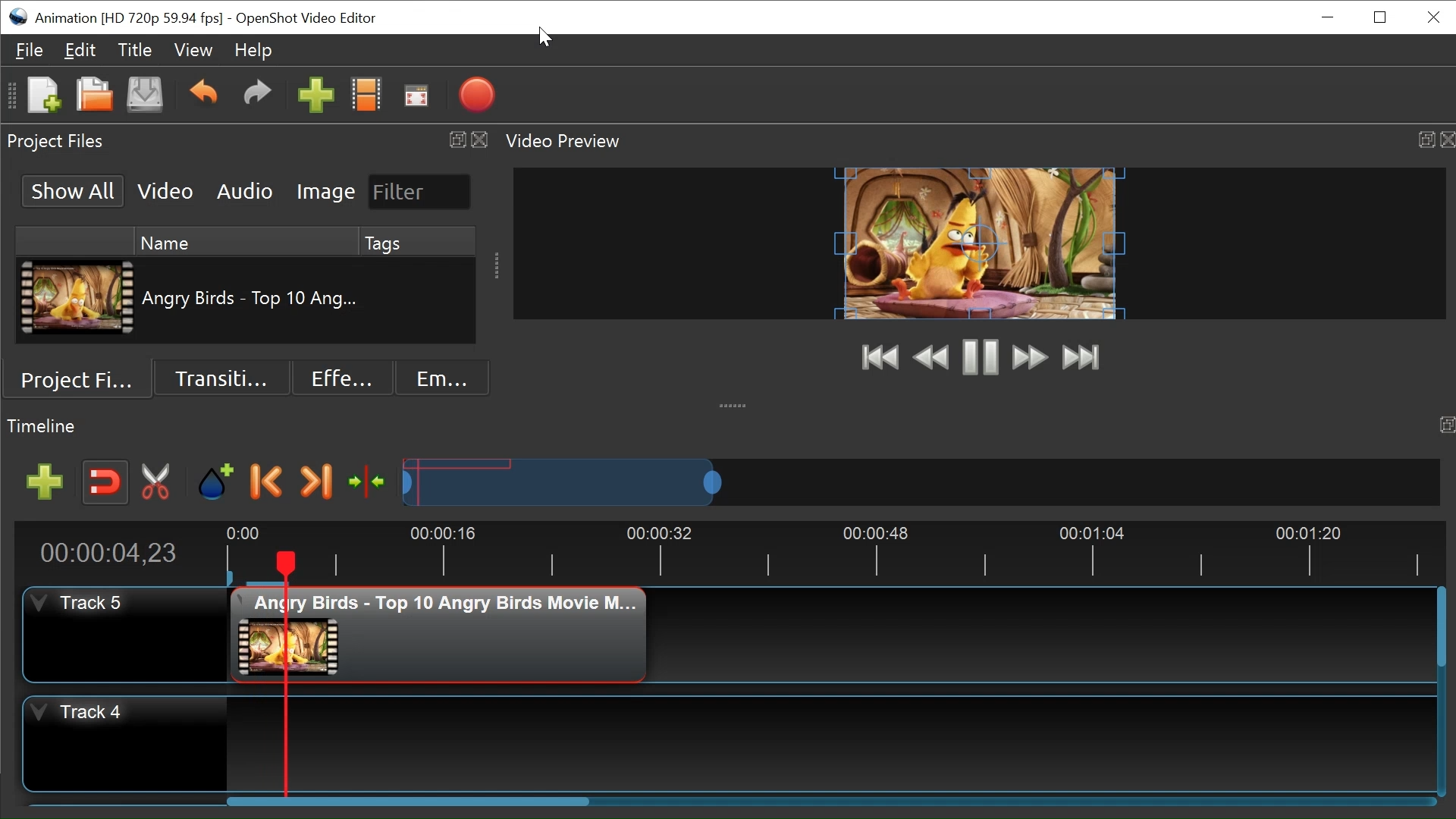  Describe the element at coordinates (258, 94) in the screenshot. I see `Redo` at that location.